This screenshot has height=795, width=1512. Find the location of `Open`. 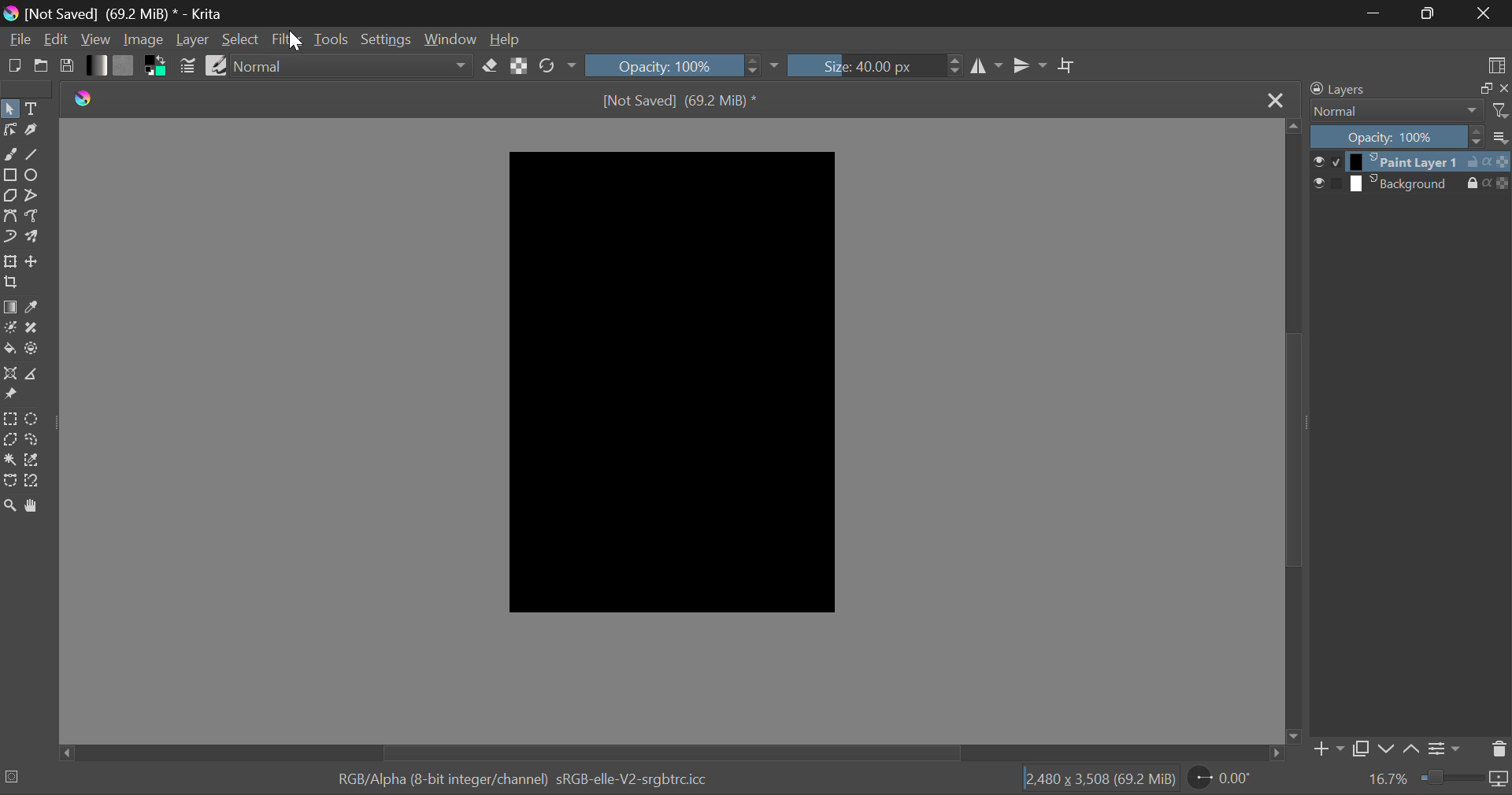

Open is located at coordinates (41, 68).